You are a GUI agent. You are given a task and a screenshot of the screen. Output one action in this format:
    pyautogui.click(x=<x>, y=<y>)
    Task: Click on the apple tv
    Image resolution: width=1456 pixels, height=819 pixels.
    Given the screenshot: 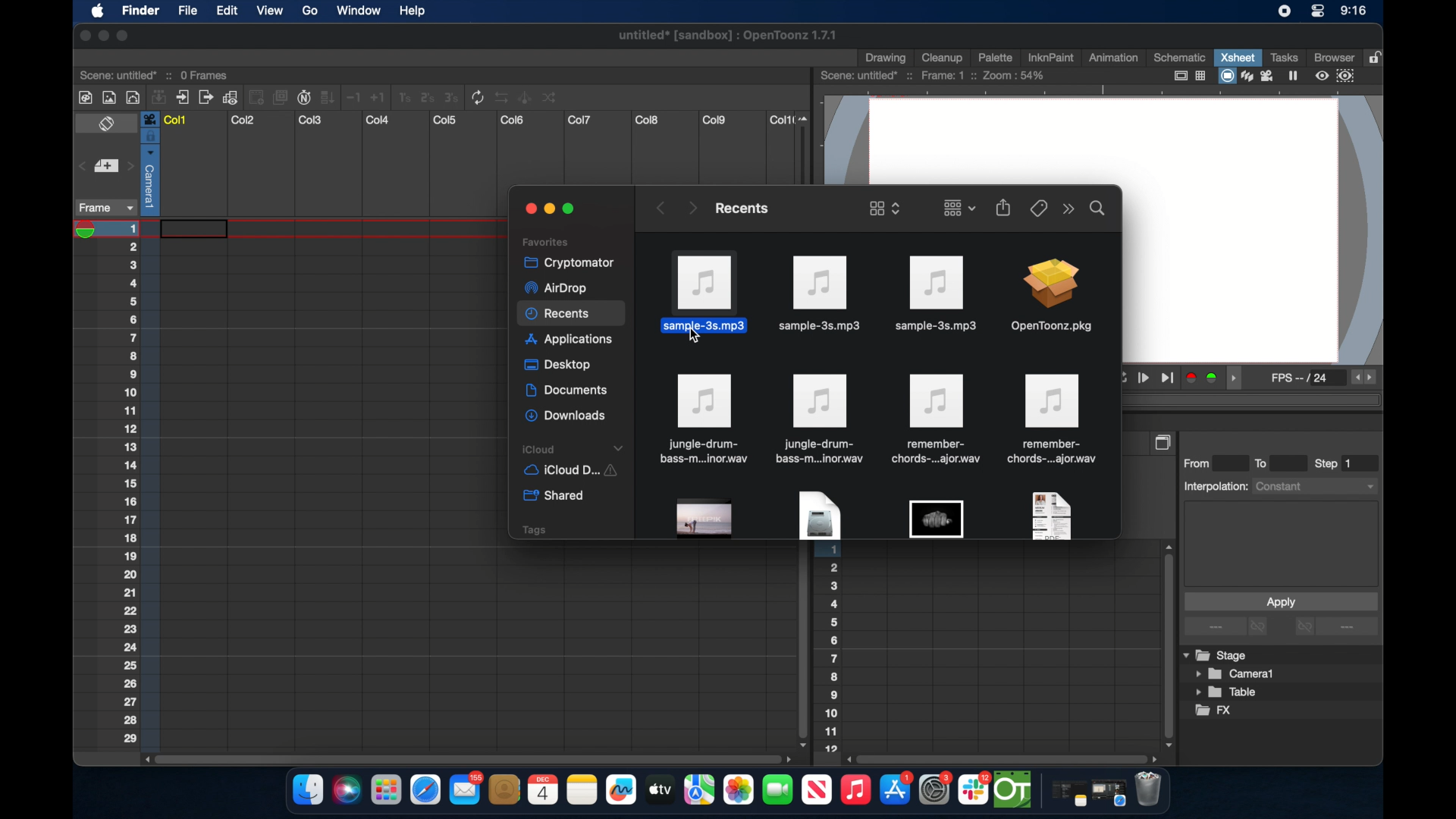 What is the action you would take?
    pyautogui.click(x=816, y=790)
    